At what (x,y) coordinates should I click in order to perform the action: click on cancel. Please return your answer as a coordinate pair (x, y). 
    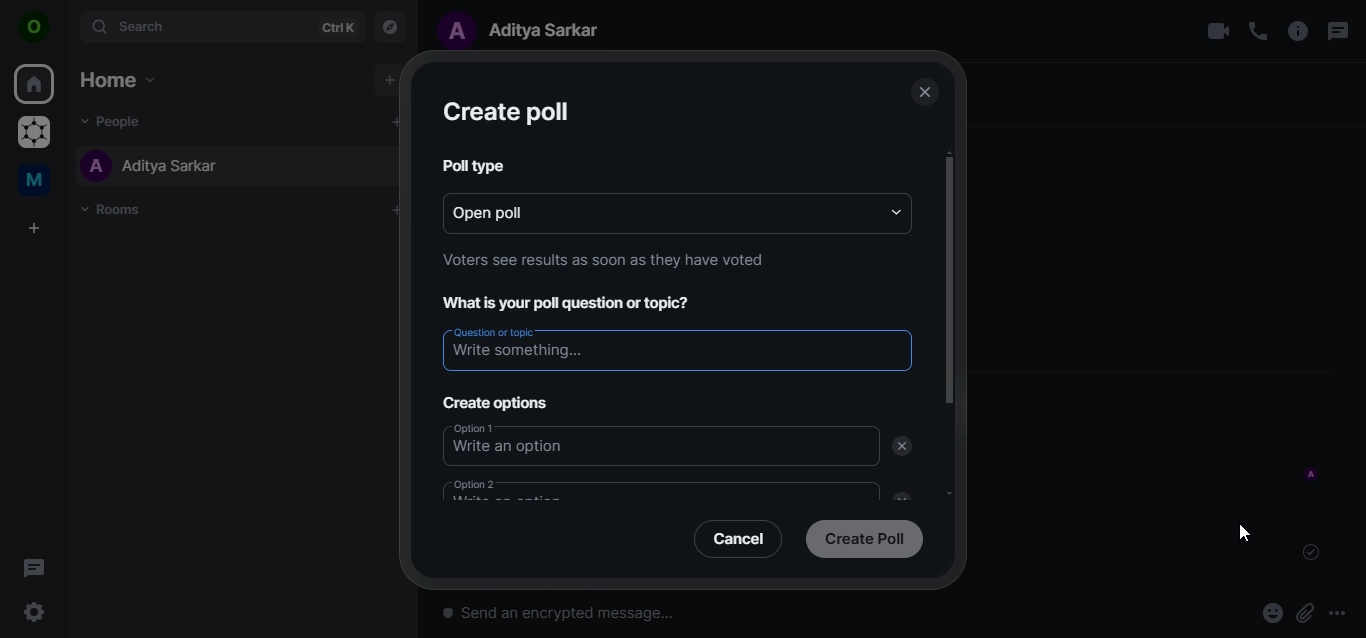
    Looking at the image, I should click on (742, 538).